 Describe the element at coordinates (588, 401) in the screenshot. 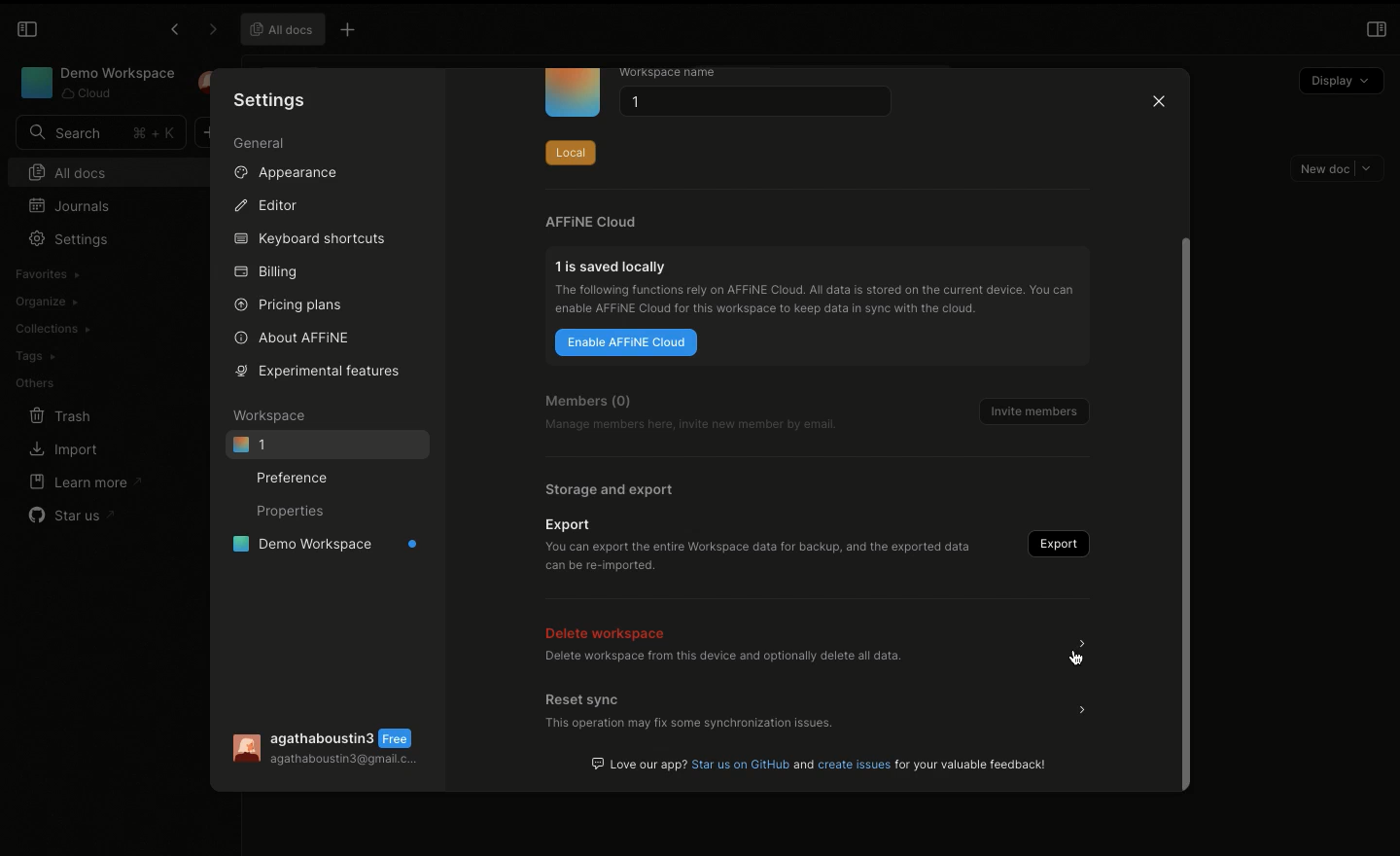

I see `Members (0)` at that location.